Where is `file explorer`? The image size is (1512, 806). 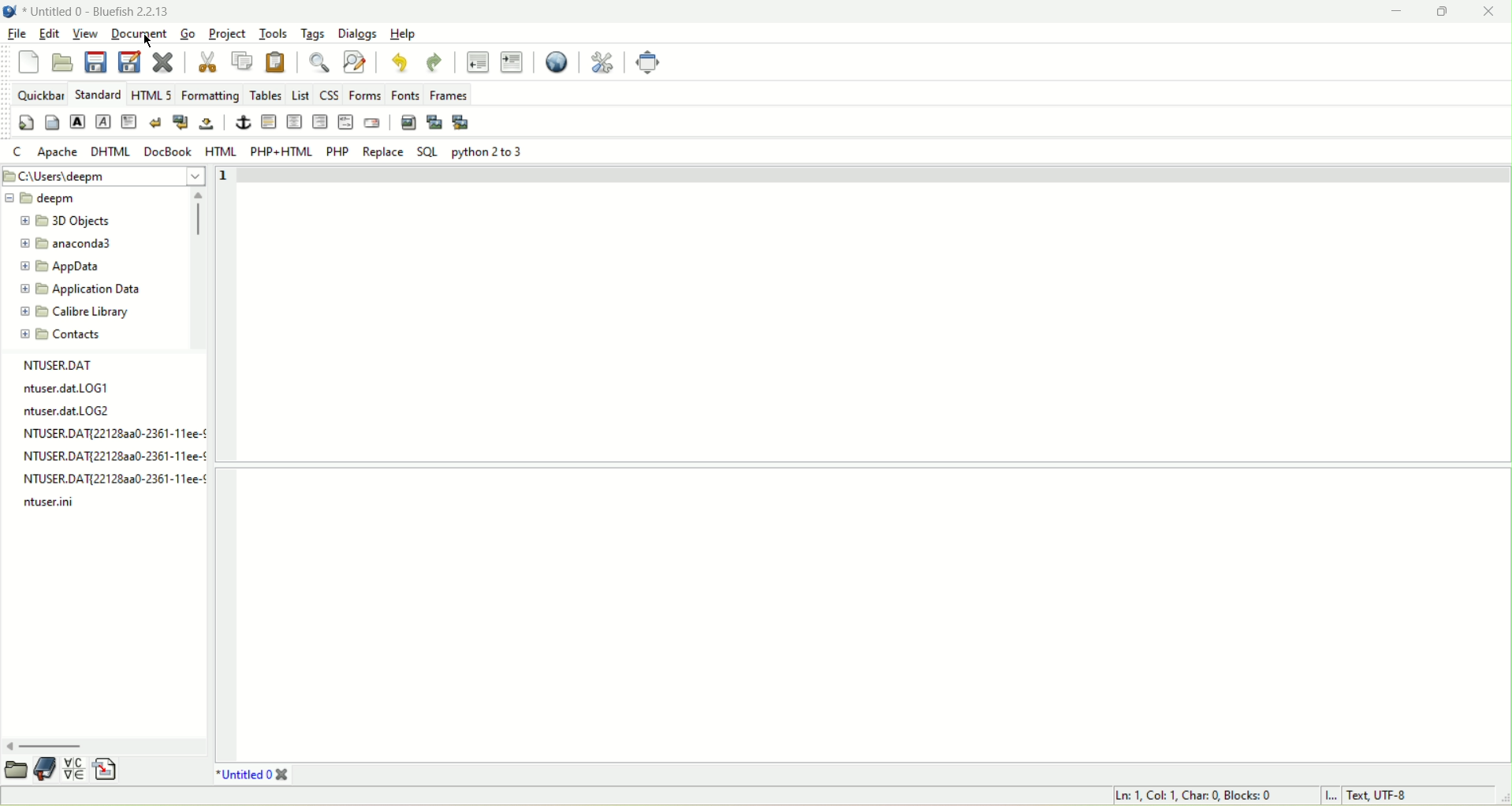
file explorer is located at coordinates (16, 769).